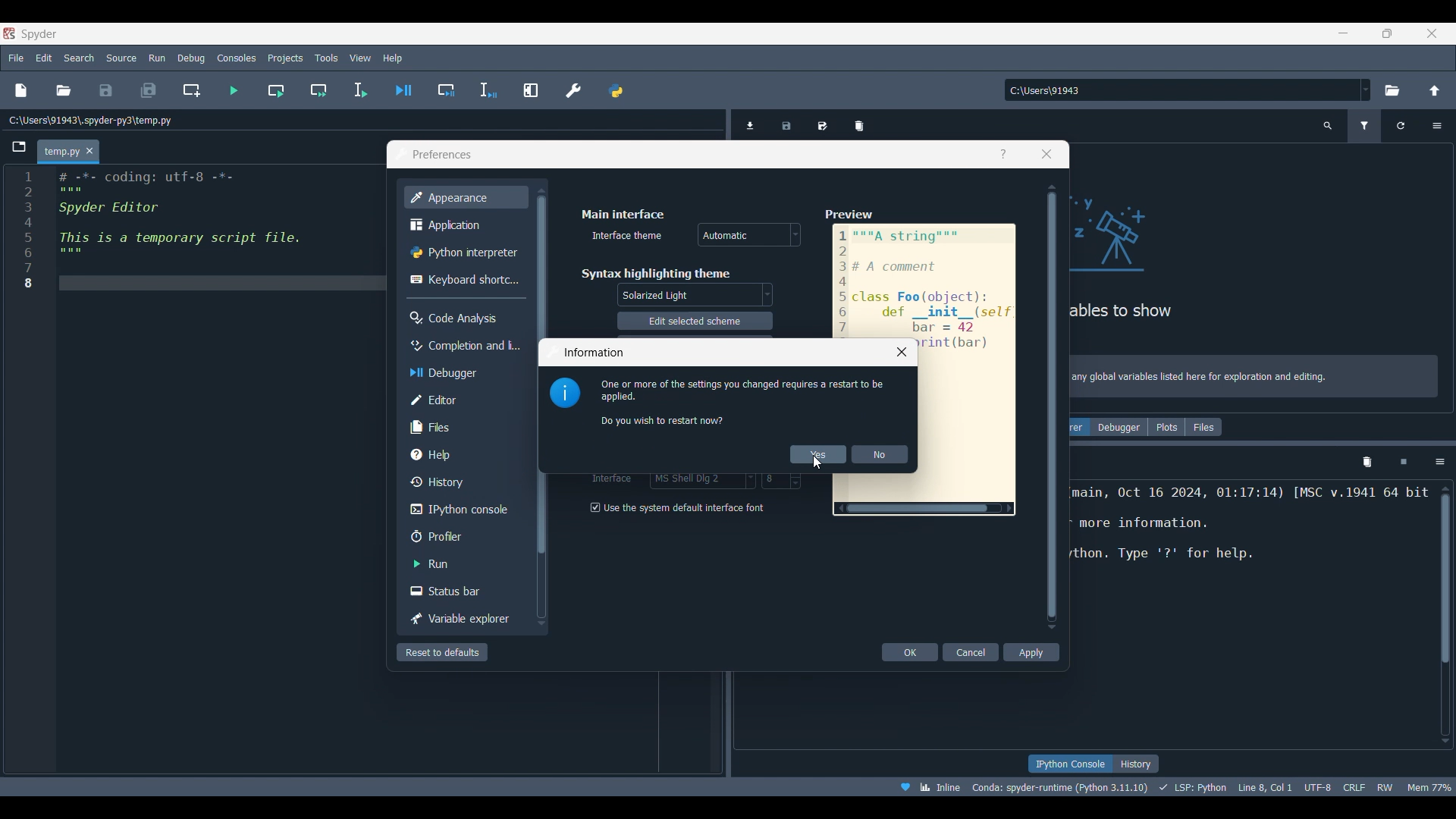 The image size is (1456, 819). What do you see at coordinates (925, 269) in the screenshot?
I see `Preview` at bounding box center [925, 269].